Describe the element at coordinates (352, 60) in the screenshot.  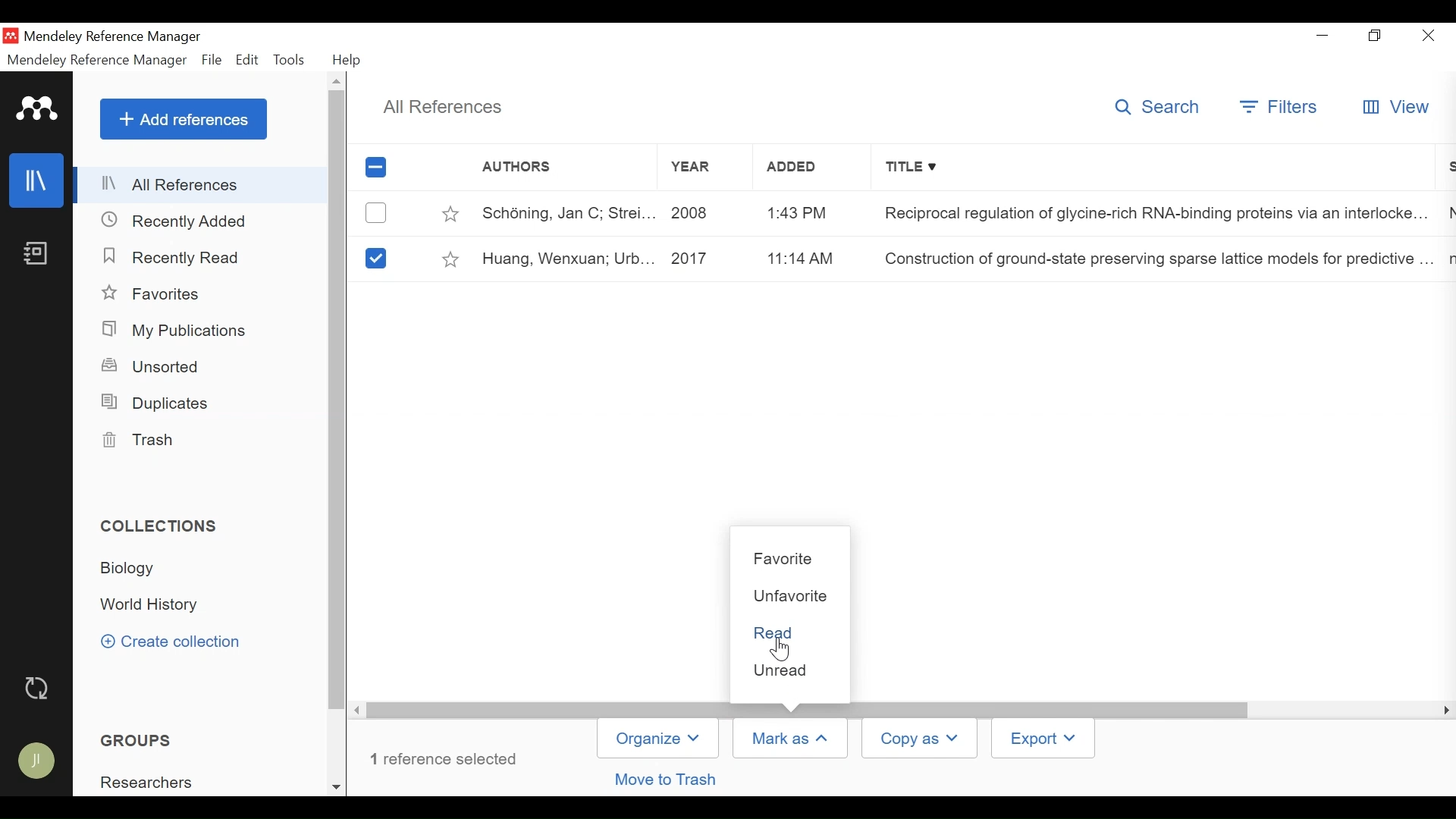
I see `Help` at that location.